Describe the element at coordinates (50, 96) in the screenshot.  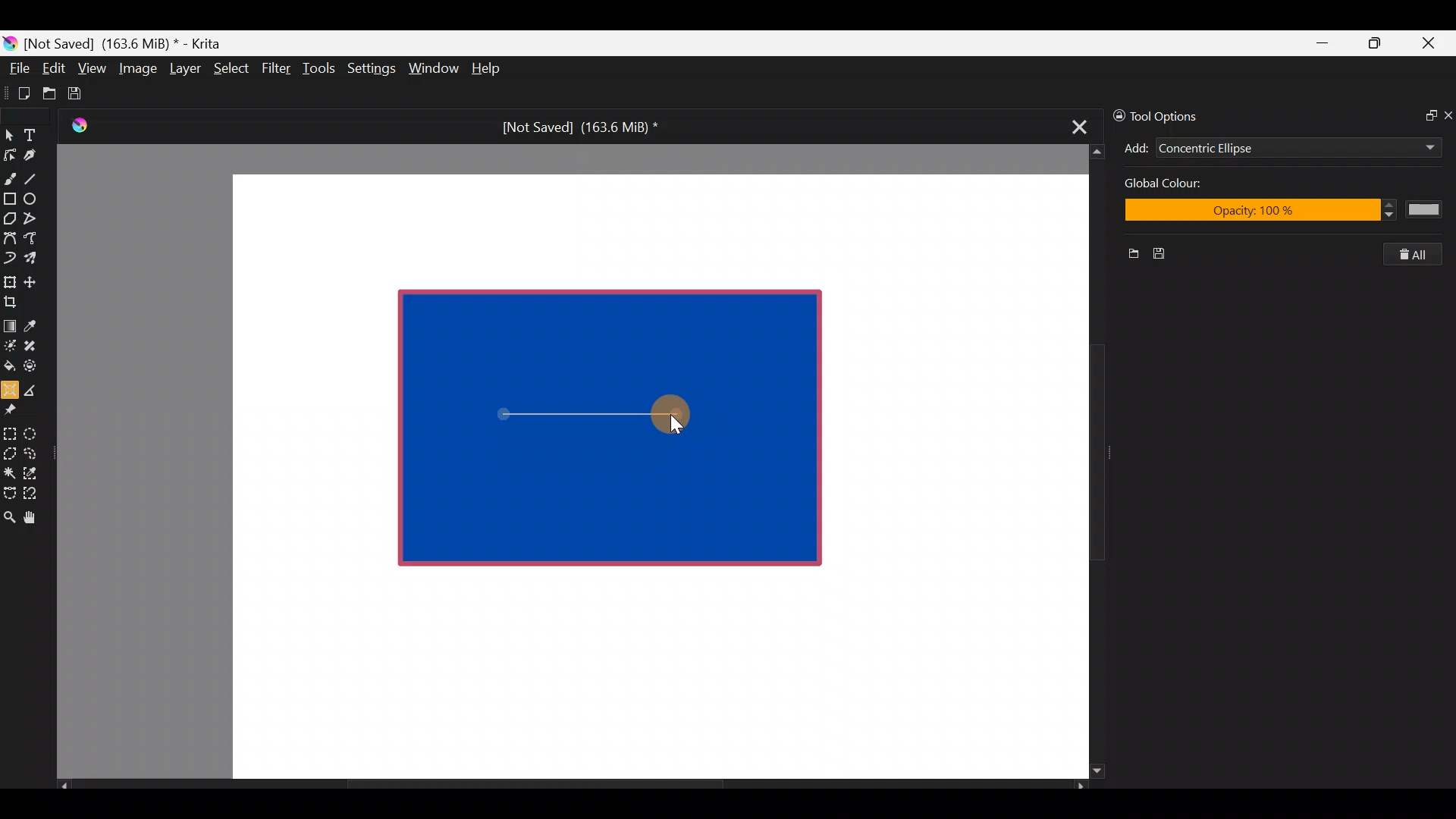
I see `Open an existing document` at that location.